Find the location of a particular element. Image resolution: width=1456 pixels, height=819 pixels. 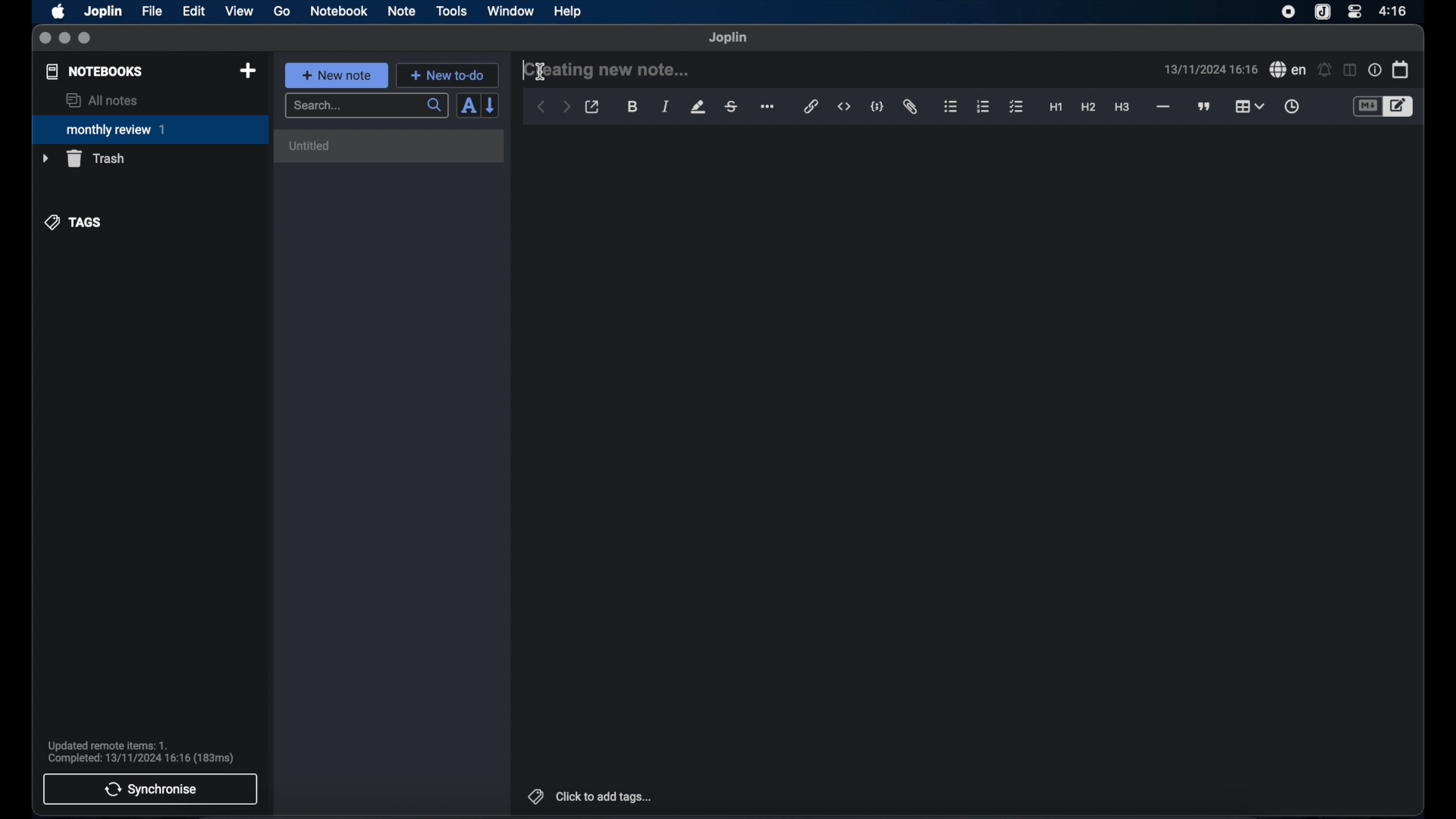

bold is located at coordinates (634, 107).